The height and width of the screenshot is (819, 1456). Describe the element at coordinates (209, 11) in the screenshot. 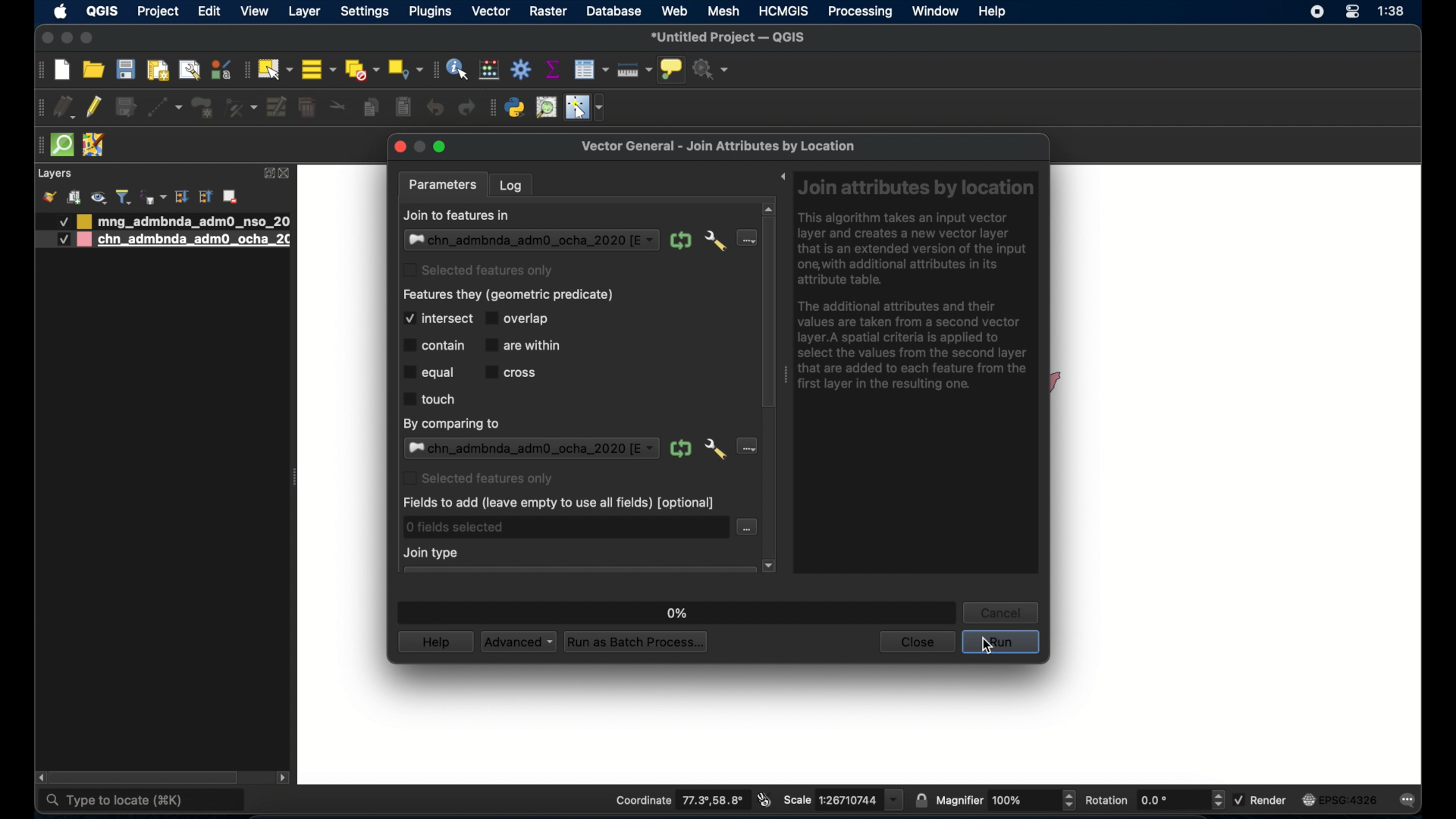

I see `edit` at that location.